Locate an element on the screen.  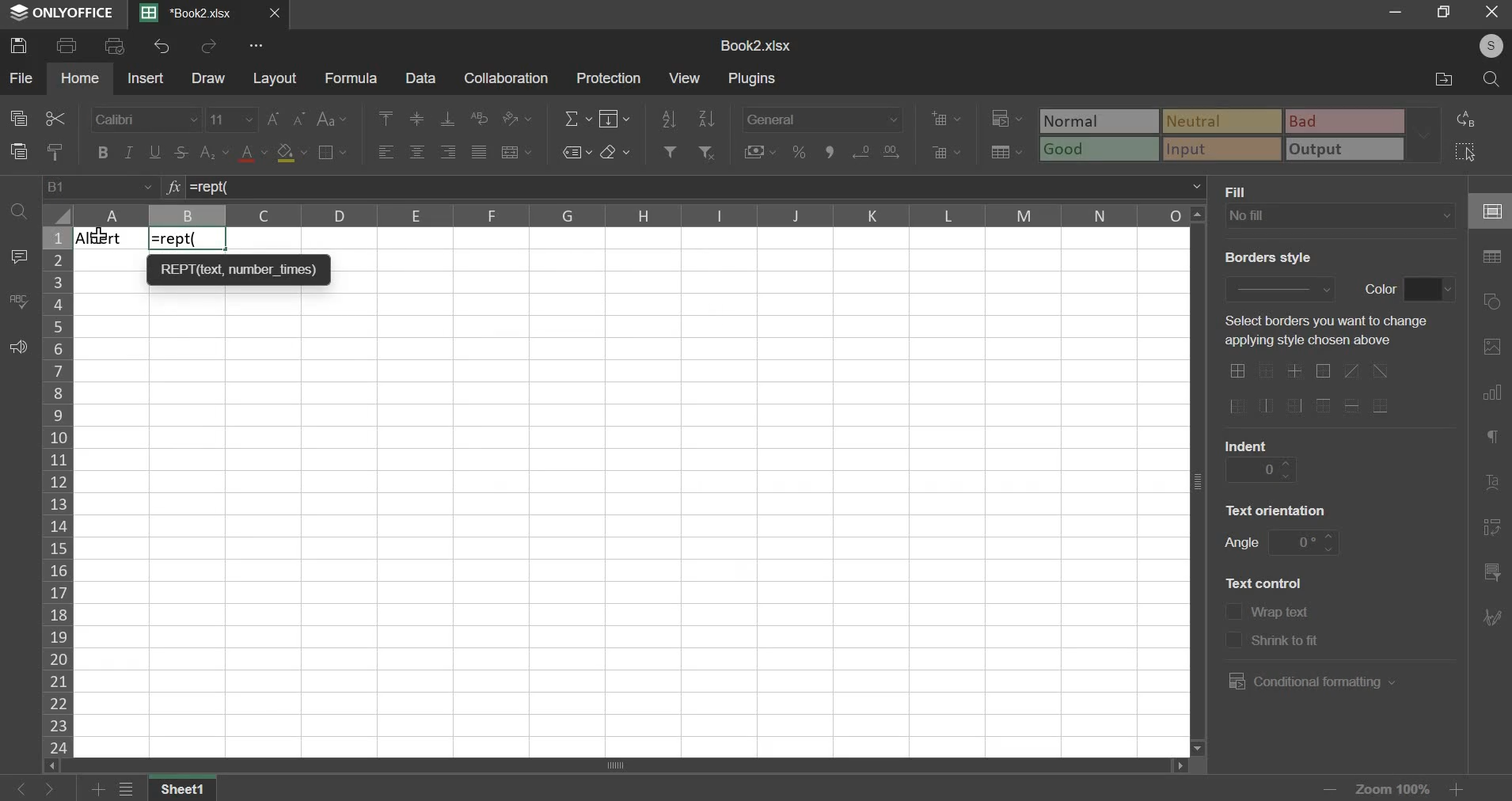
SELECT BORDERS YOU WANT TO CHANGE APPLYING STYLE CHOSEN ABOVE is located at coordinates (1324, 331).